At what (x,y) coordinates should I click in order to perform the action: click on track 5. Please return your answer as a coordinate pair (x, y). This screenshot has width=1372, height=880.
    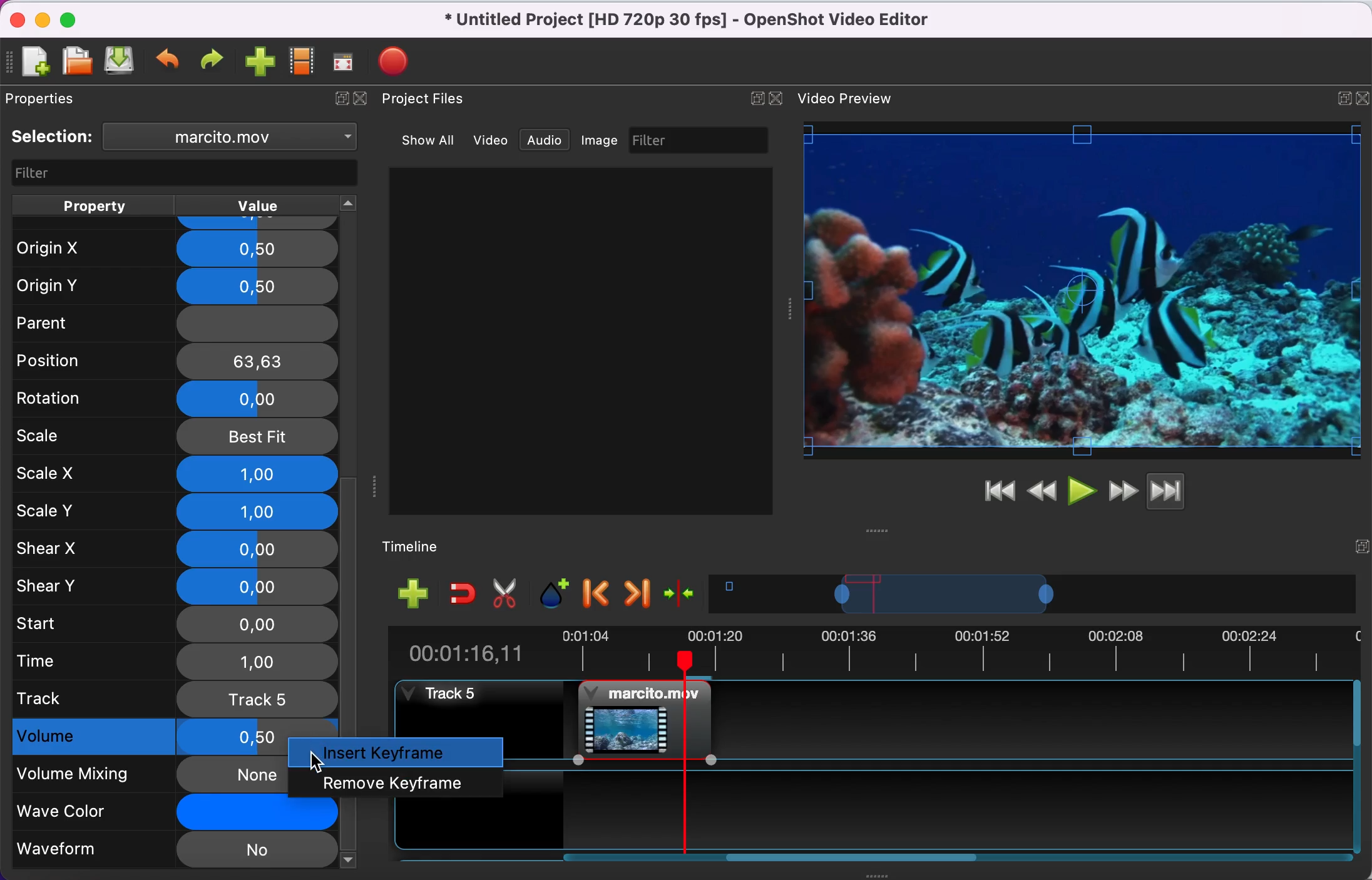
    Looking at the image, I should click on (174, 698).